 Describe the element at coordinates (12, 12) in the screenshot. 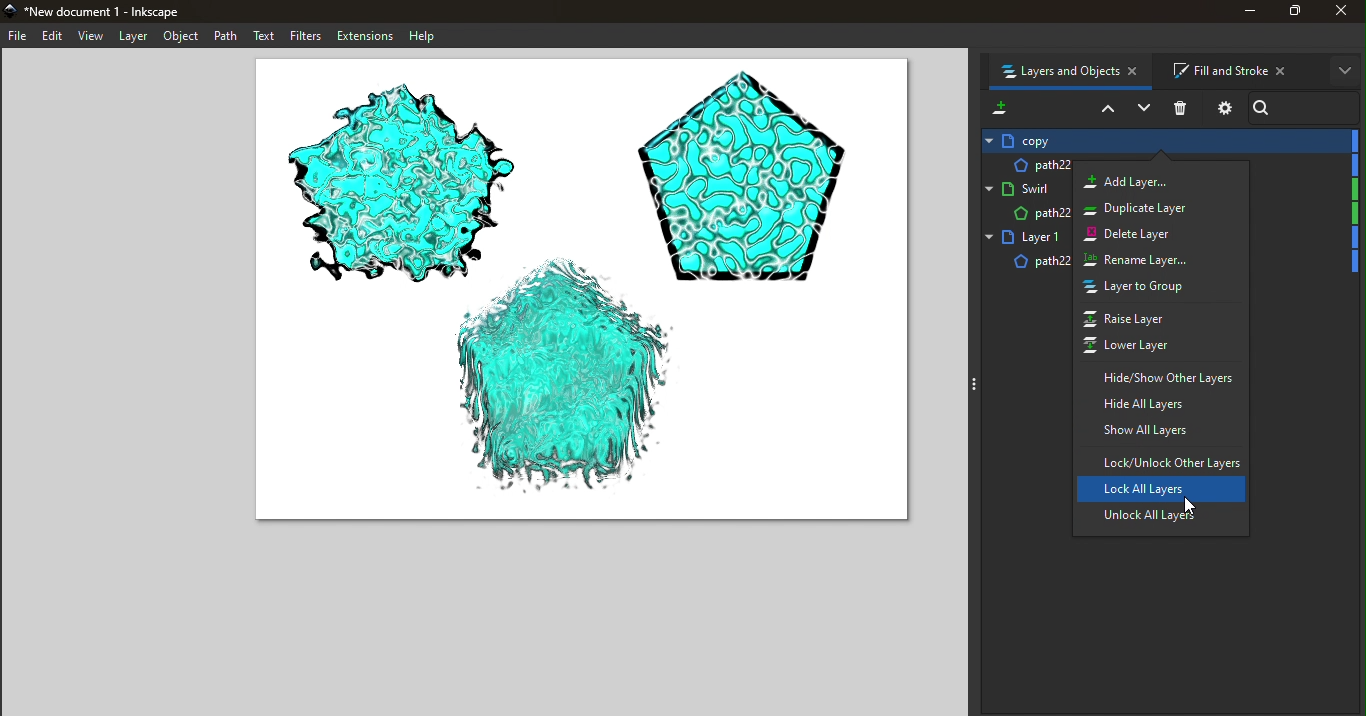

I see `App icon` at that location.